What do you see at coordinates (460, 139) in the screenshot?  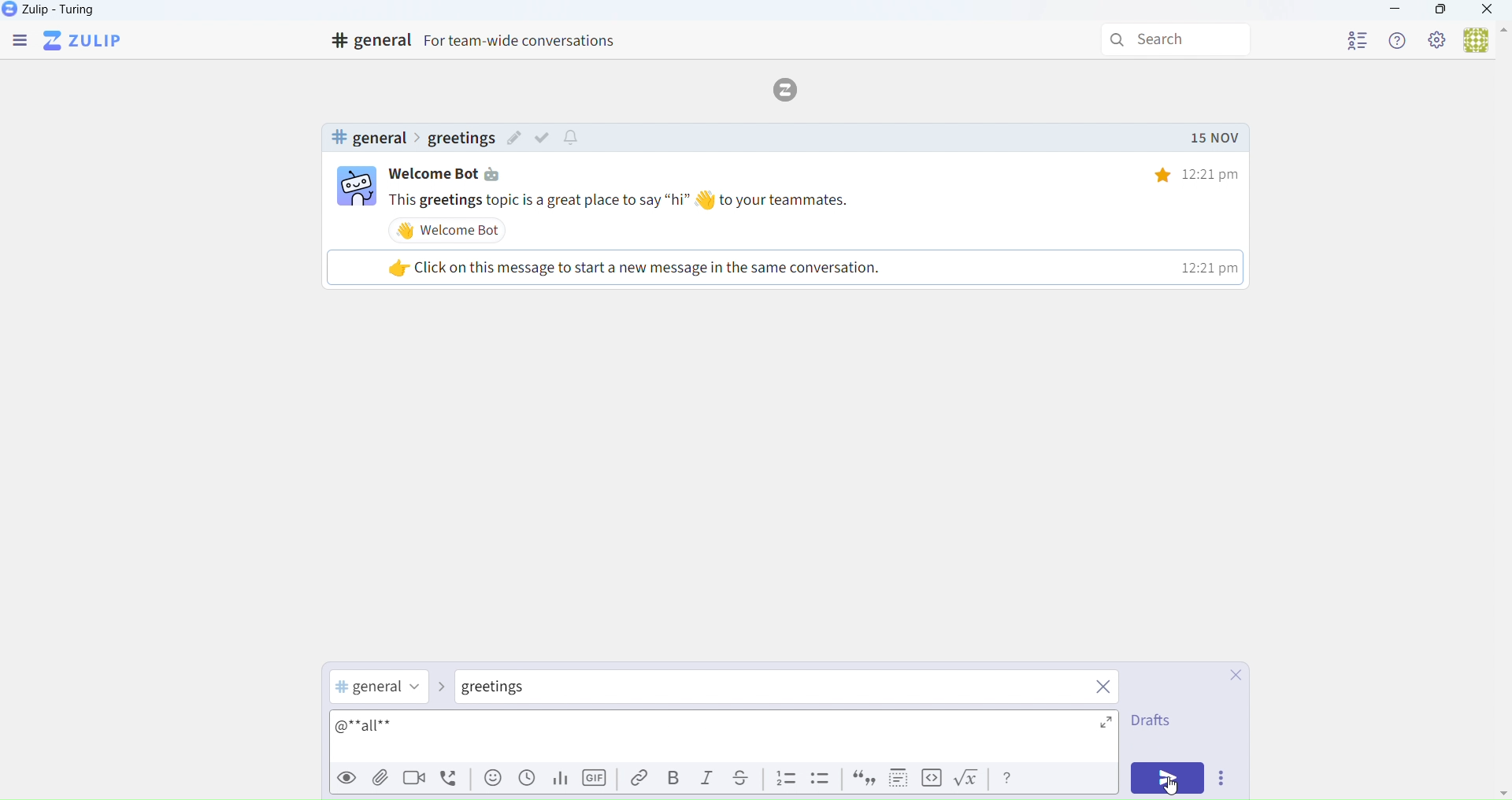 I see `greetings` at bounding box center [460, 139].